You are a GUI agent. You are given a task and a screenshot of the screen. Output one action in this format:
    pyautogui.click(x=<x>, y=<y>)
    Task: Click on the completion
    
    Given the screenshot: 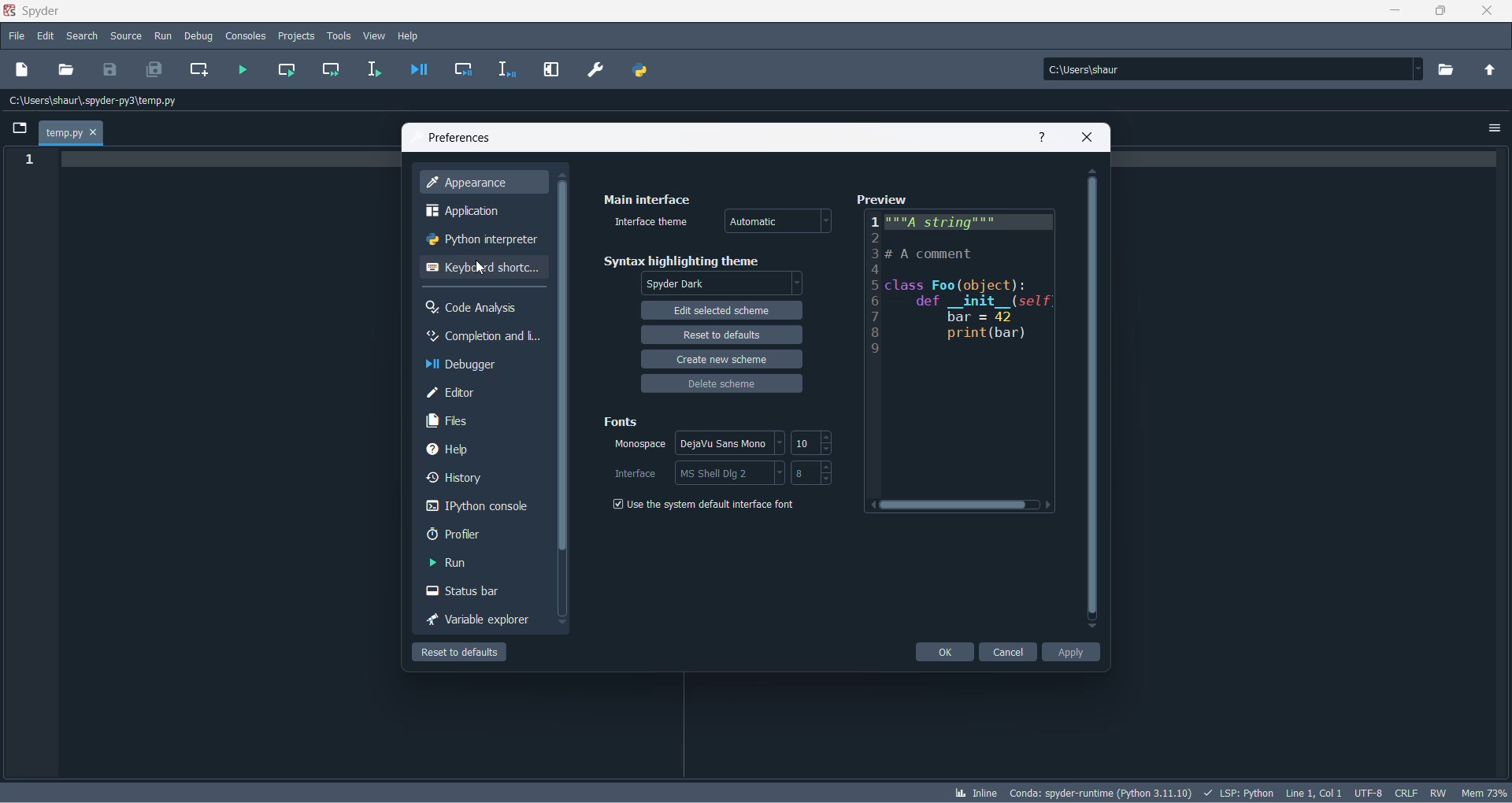 What is the action you would take?
    pyautogui.click(x=483, y=338)
    